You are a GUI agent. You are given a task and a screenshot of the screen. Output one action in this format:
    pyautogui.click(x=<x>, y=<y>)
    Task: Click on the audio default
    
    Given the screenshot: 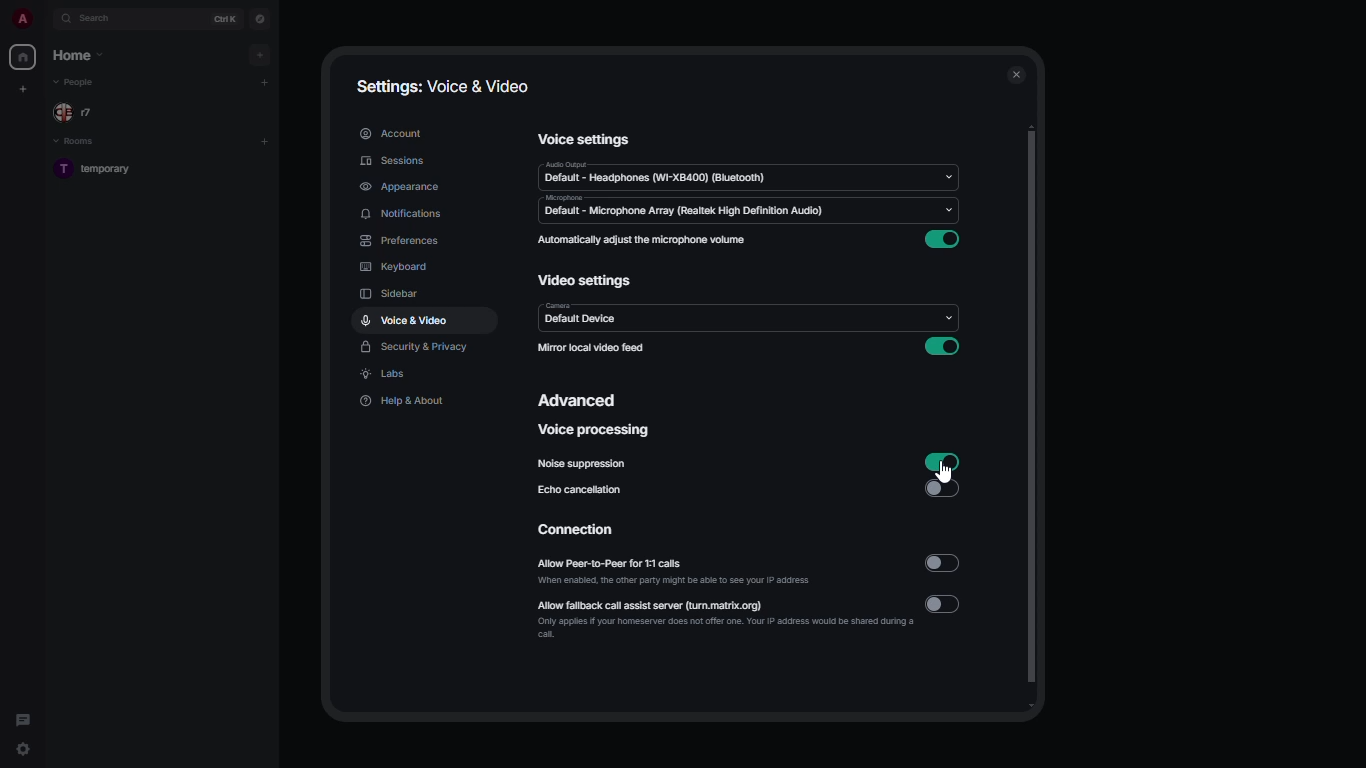 What is the action you would take?
    pyautogui.click(x=659, y=174)
    